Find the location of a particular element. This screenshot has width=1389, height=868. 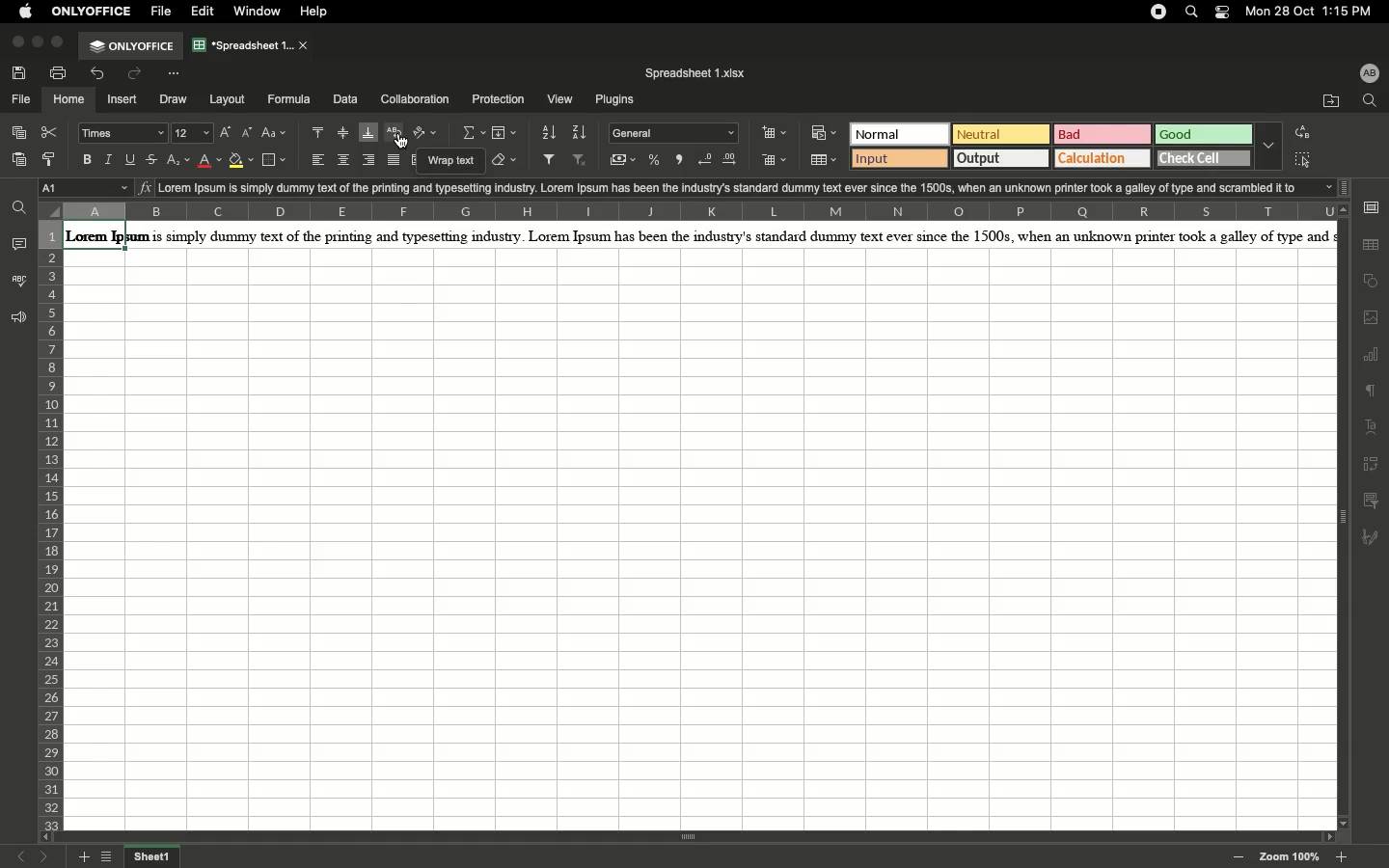

Bad is located at coordinates (1103, 134).